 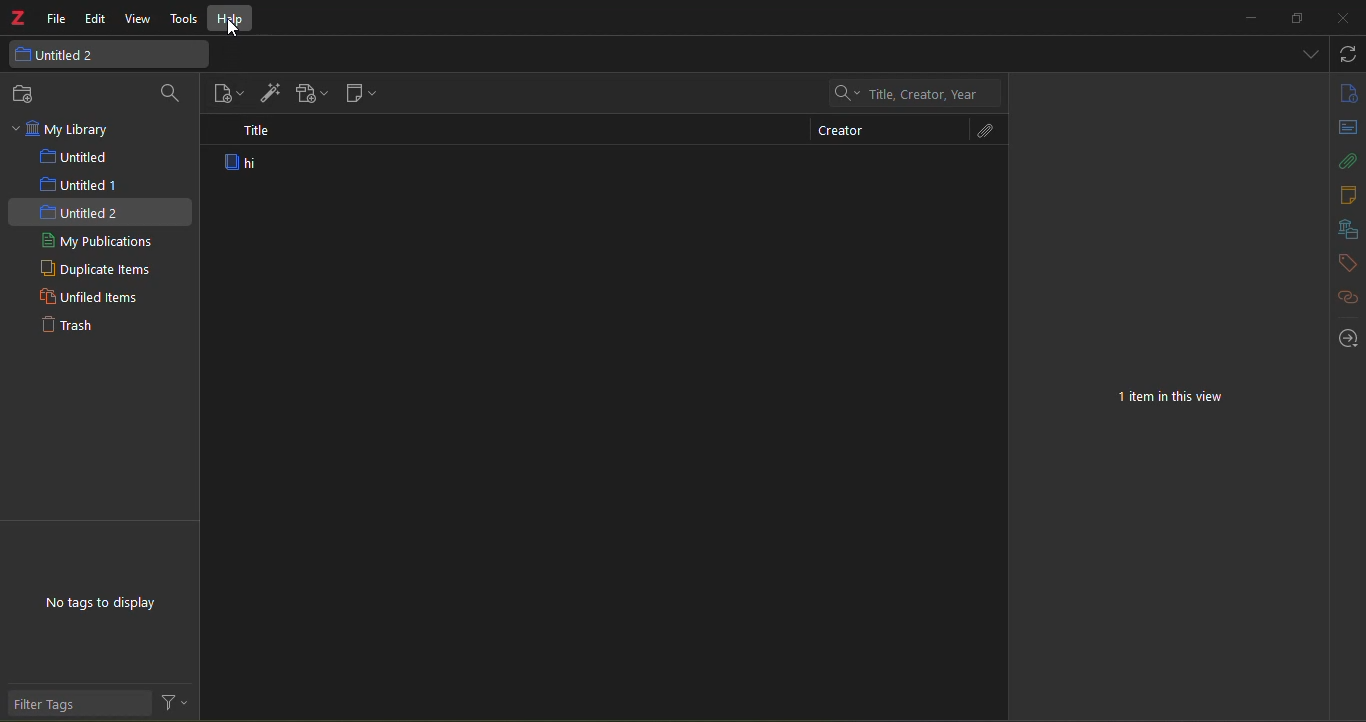 I want to click on edit, so click(x=95, y=18).